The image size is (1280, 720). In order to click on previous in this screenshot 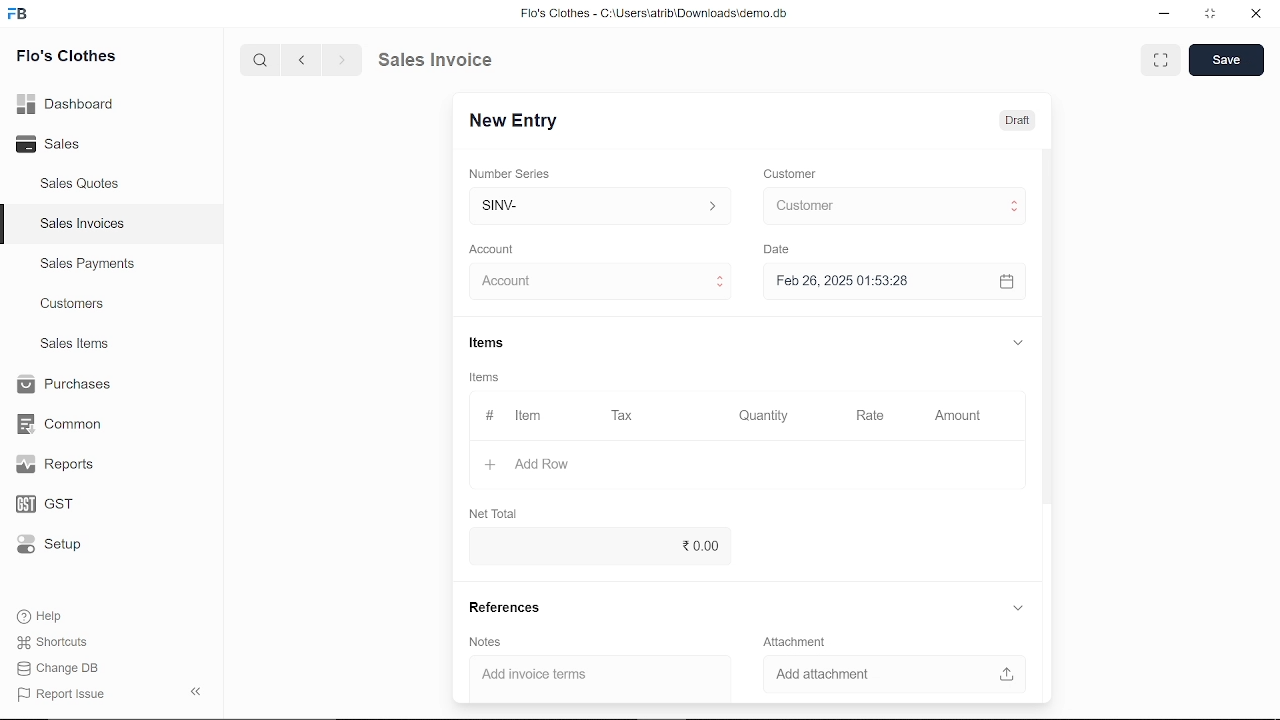, I will do `click(302, 59)`.